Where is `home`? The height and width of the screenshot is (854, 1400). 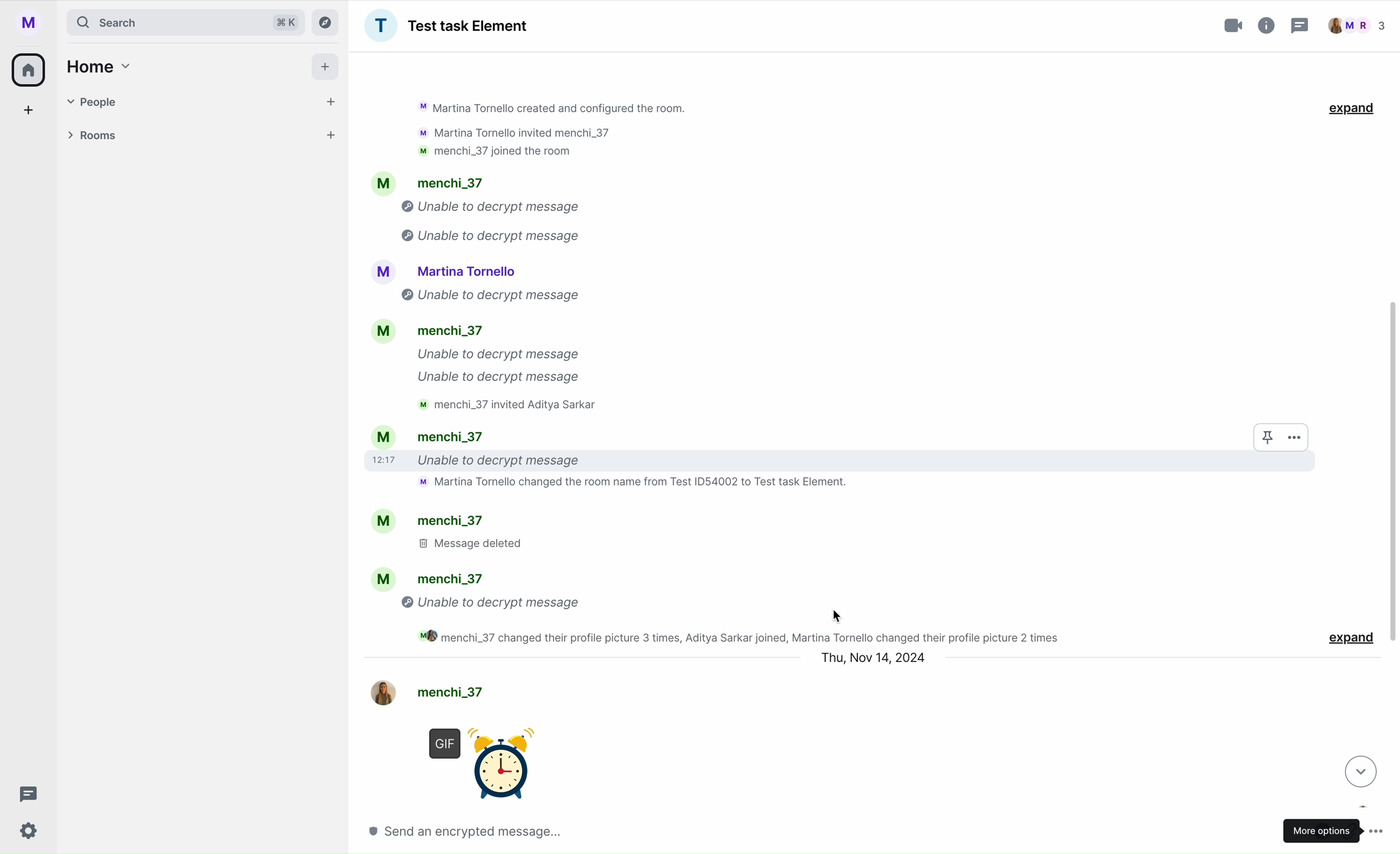 home is located at coordinates (96, 66).